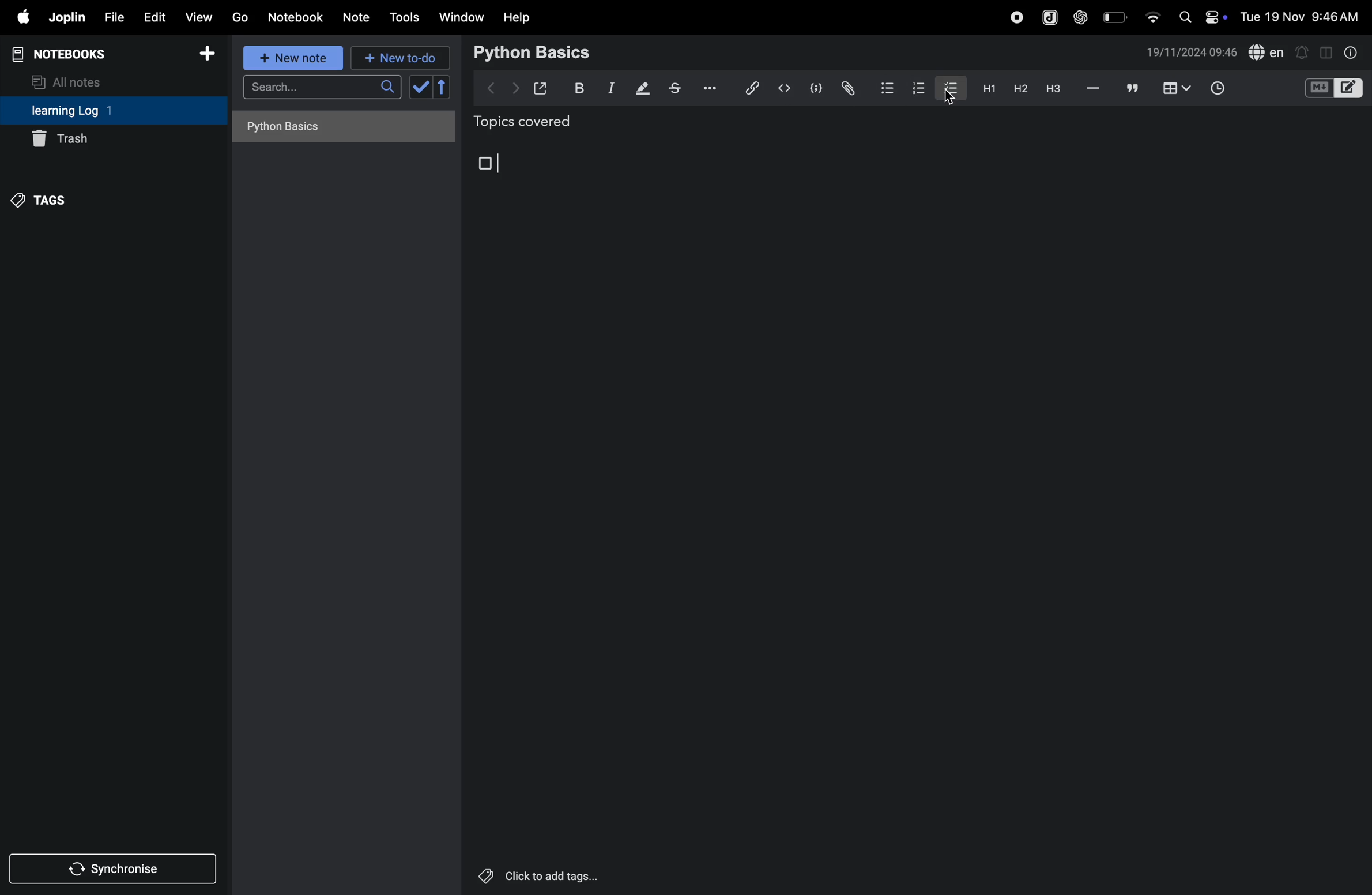  What do you see at coordinates (153, 17) in the screenshot?
I see `edit` at bounding box center [153, 17].